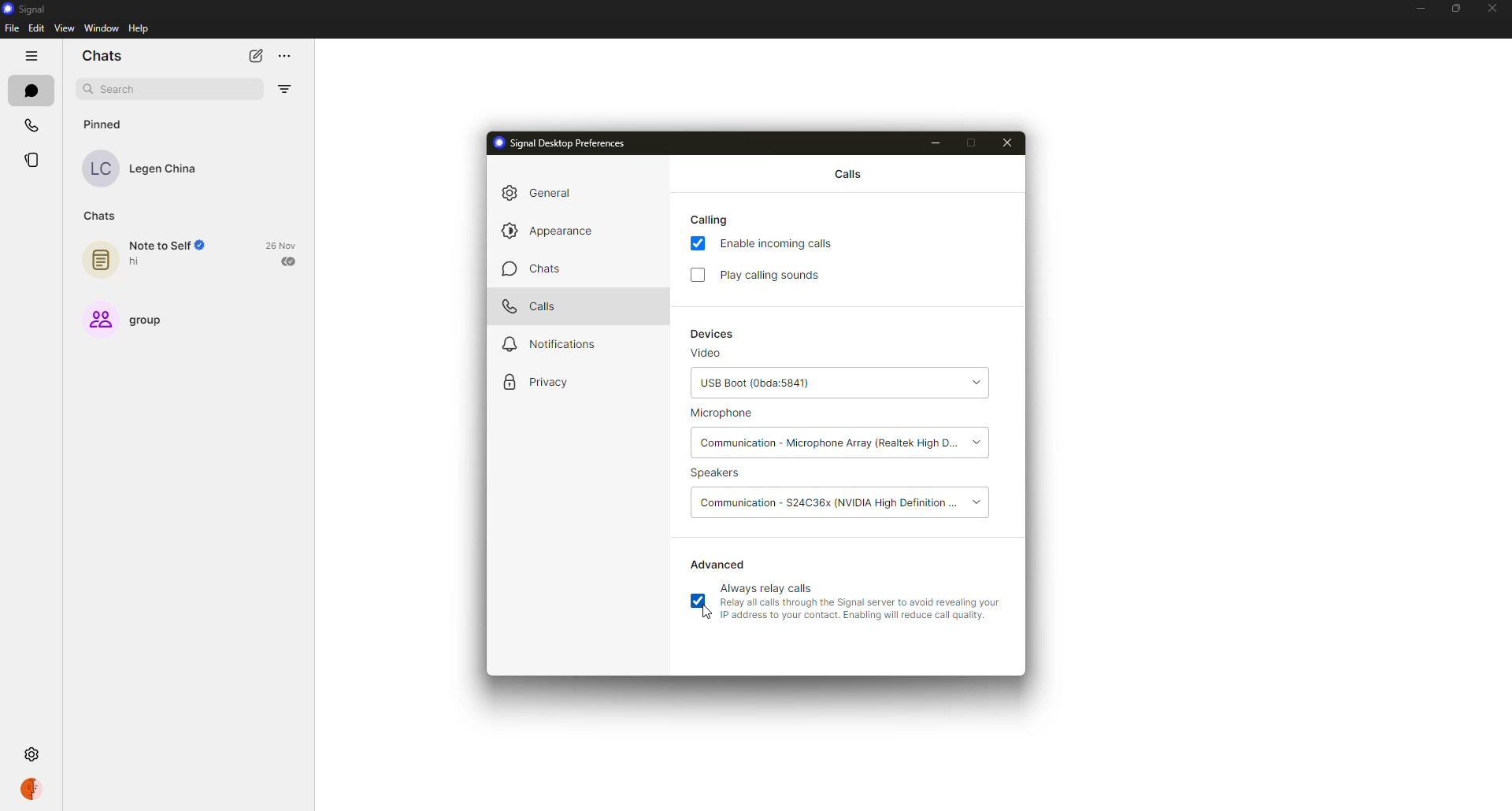 Image resolution: width=1512 pixels, height=811 pixels. I want to click on maximize, so click(974, 143).